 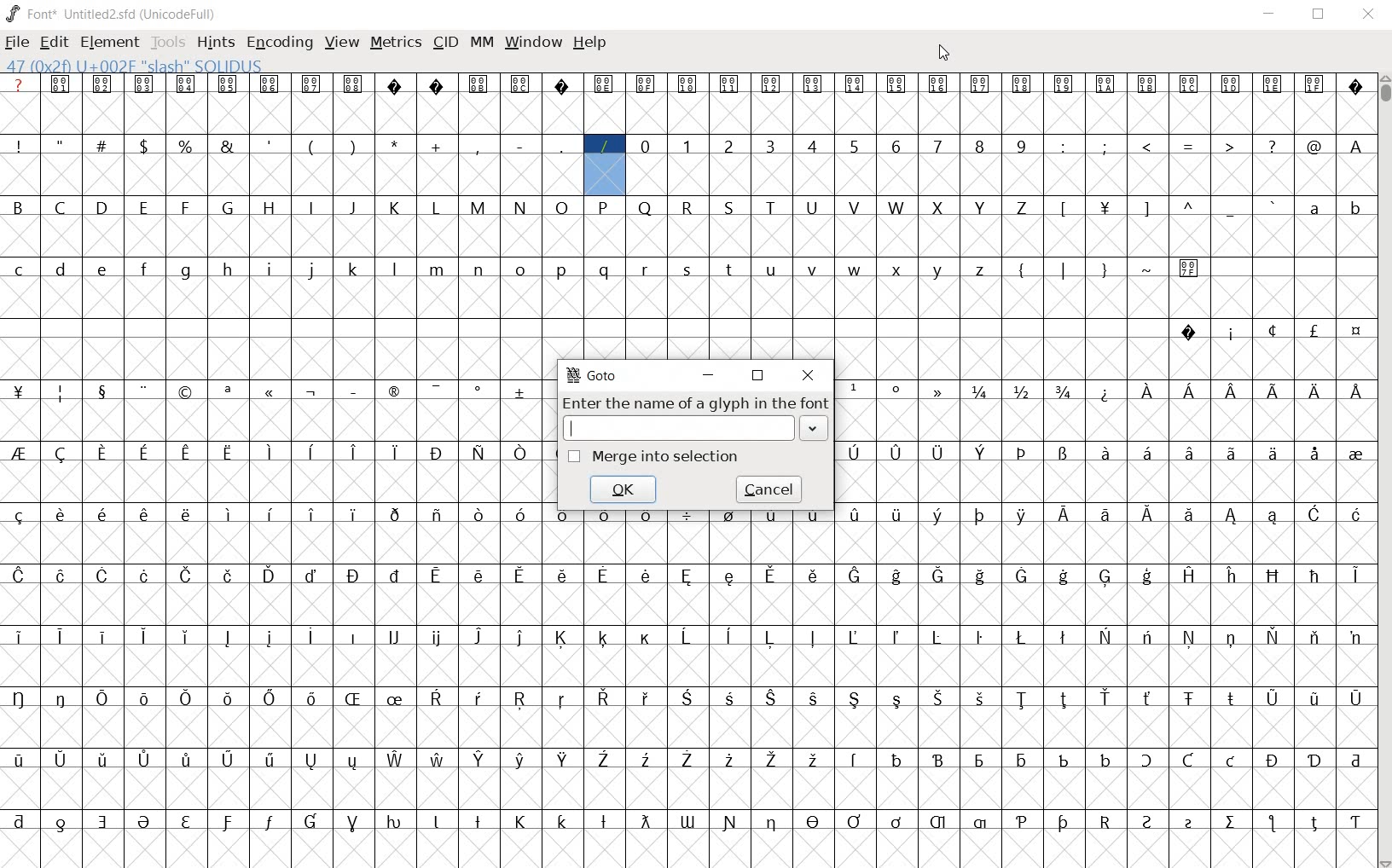 What do you see at coordinates (815, 427) in the screenshot?
I see `dropdown` at bounding box center [815, 427].